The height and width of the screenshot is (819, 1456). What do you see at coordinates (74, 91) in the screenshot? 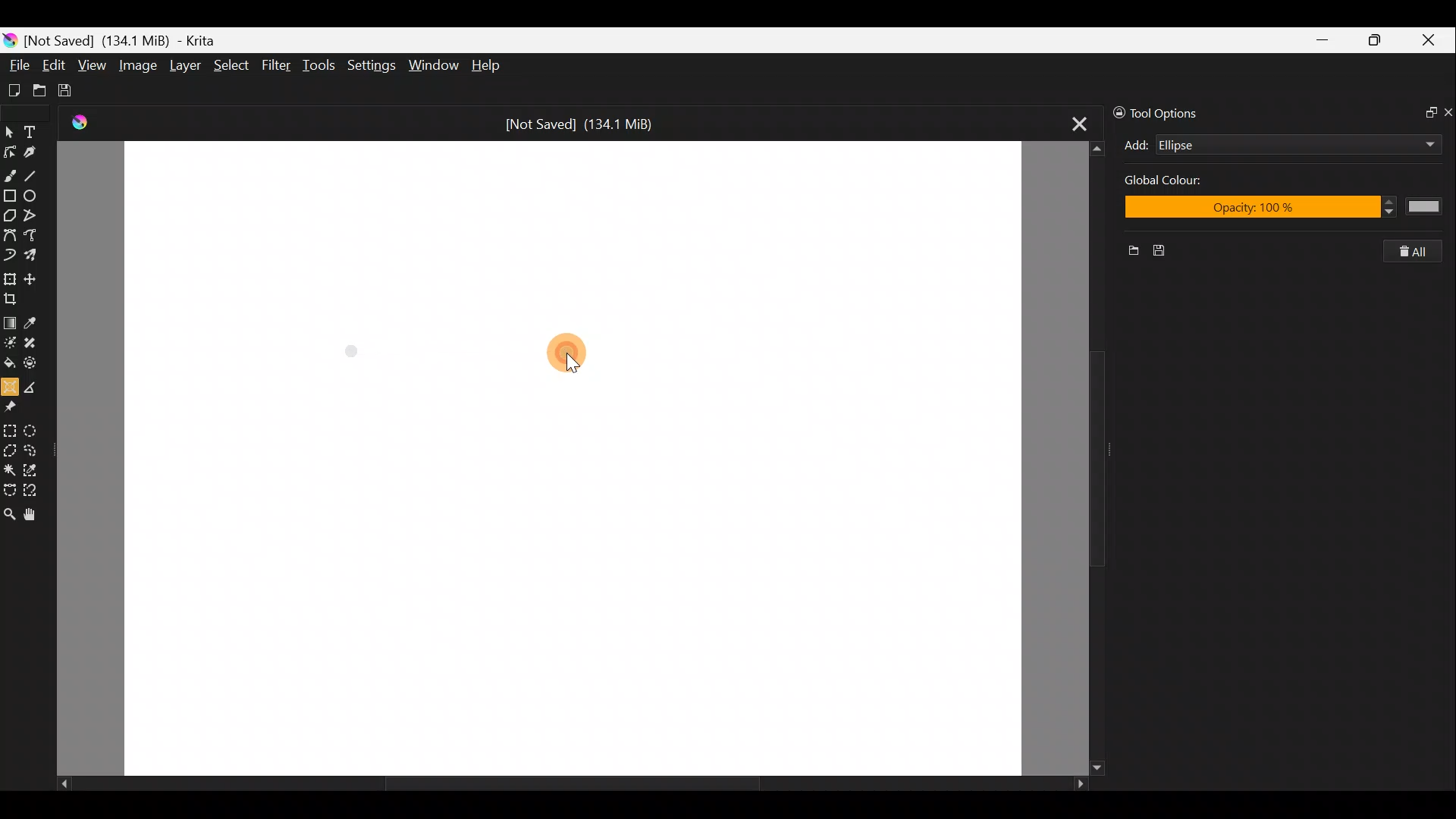
I see `Save` at bounding box center [74, 91].